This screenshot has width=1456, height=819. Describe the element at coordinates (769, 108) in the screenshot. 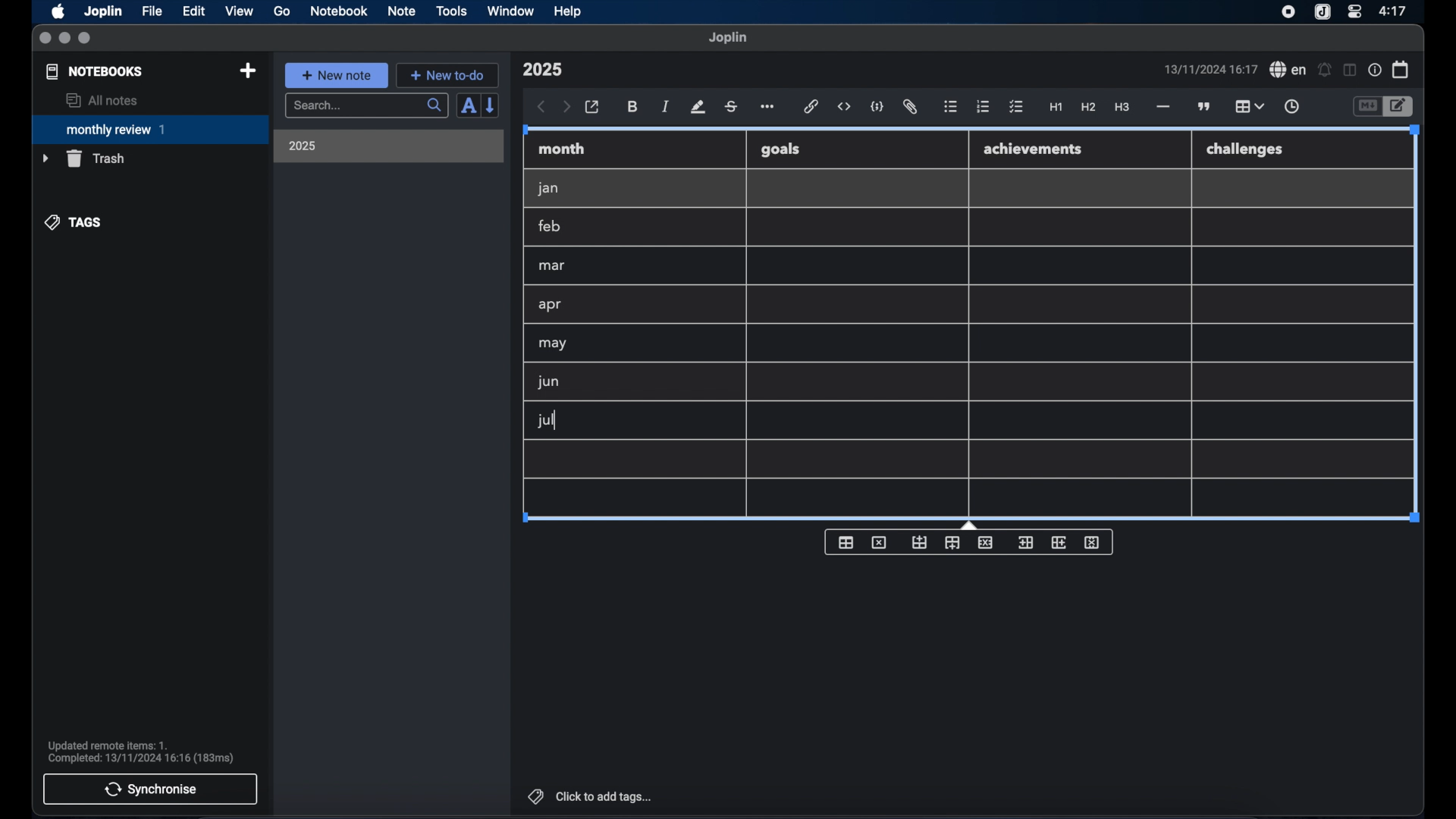

I see `more options` at that location.